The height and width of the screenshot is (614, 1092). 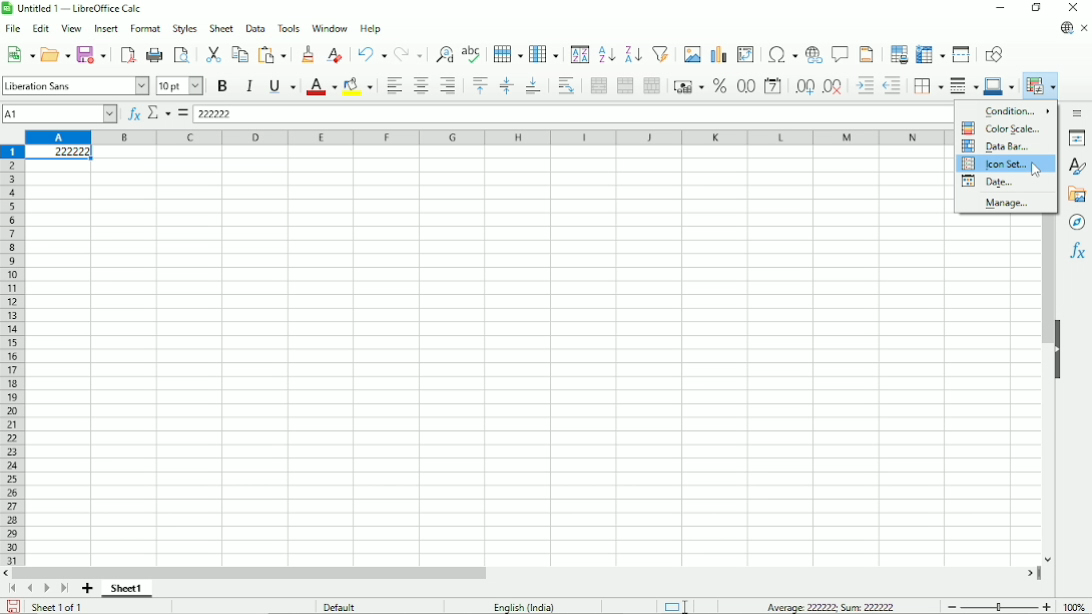 I want to click on Headers and footers, so click(x=867, y=54).